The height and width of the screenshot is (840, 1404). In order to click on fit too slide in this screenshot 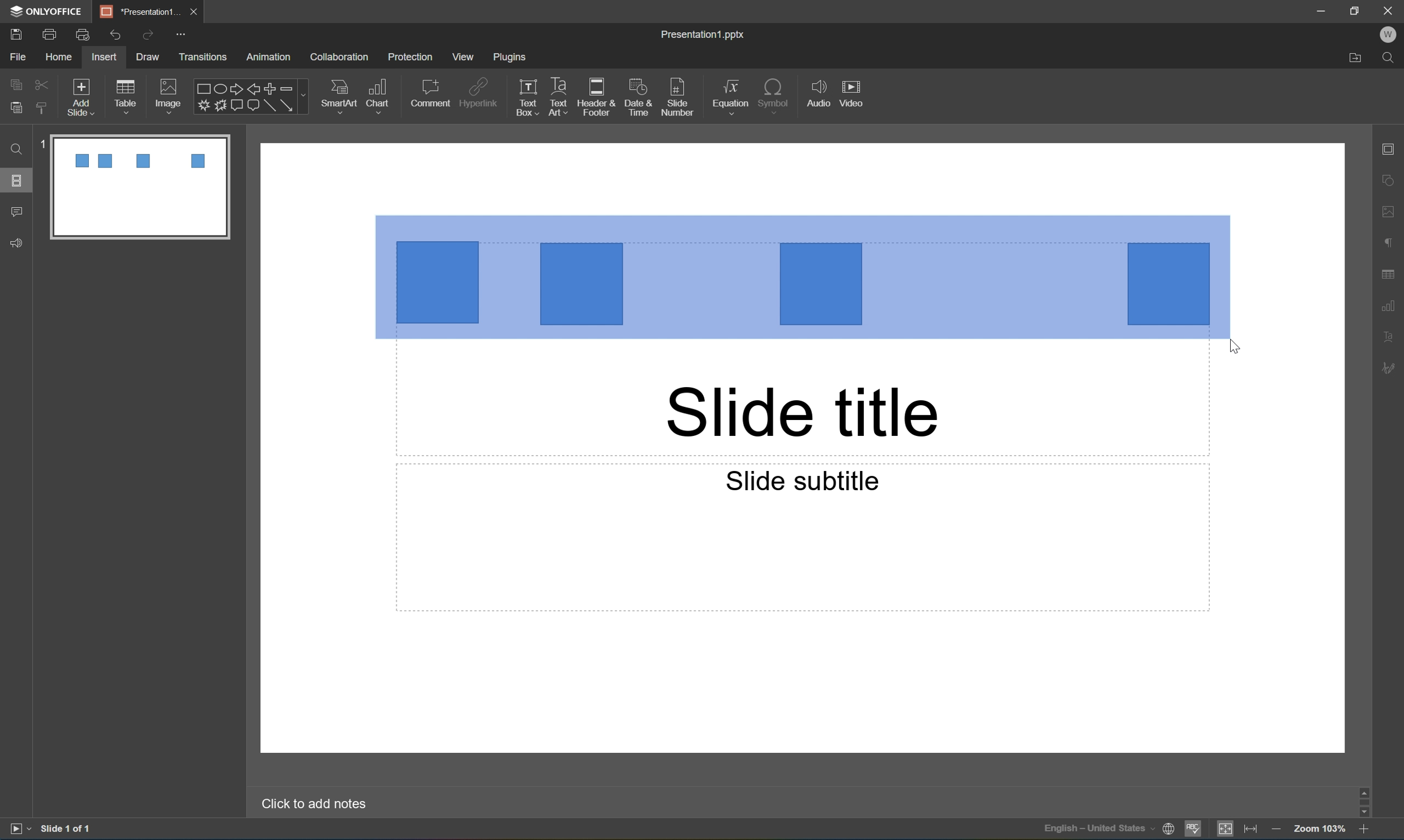, I will do `click(1226, 830)`.